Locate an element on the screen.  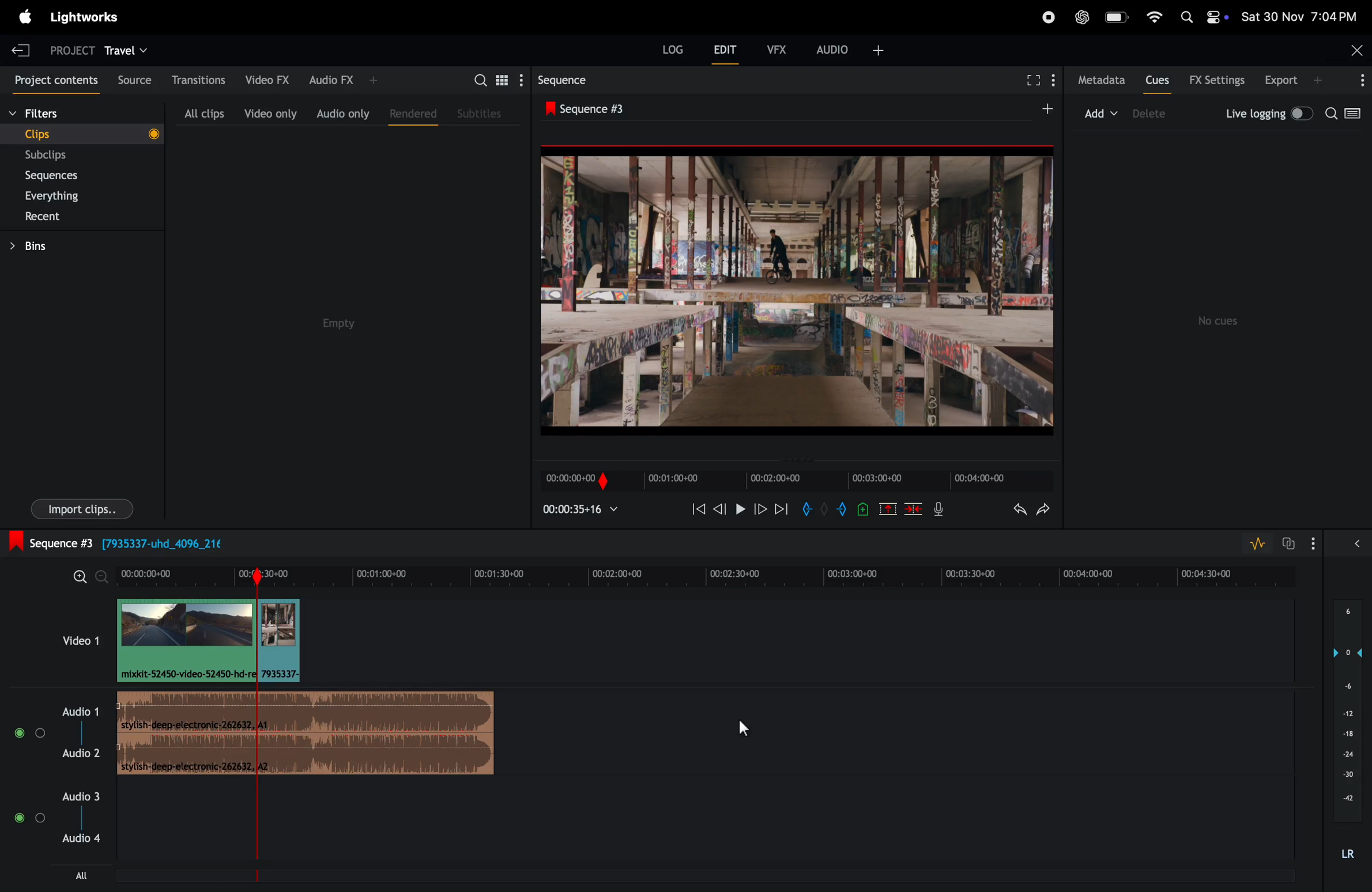
edit is located at coordinates (728, 51).